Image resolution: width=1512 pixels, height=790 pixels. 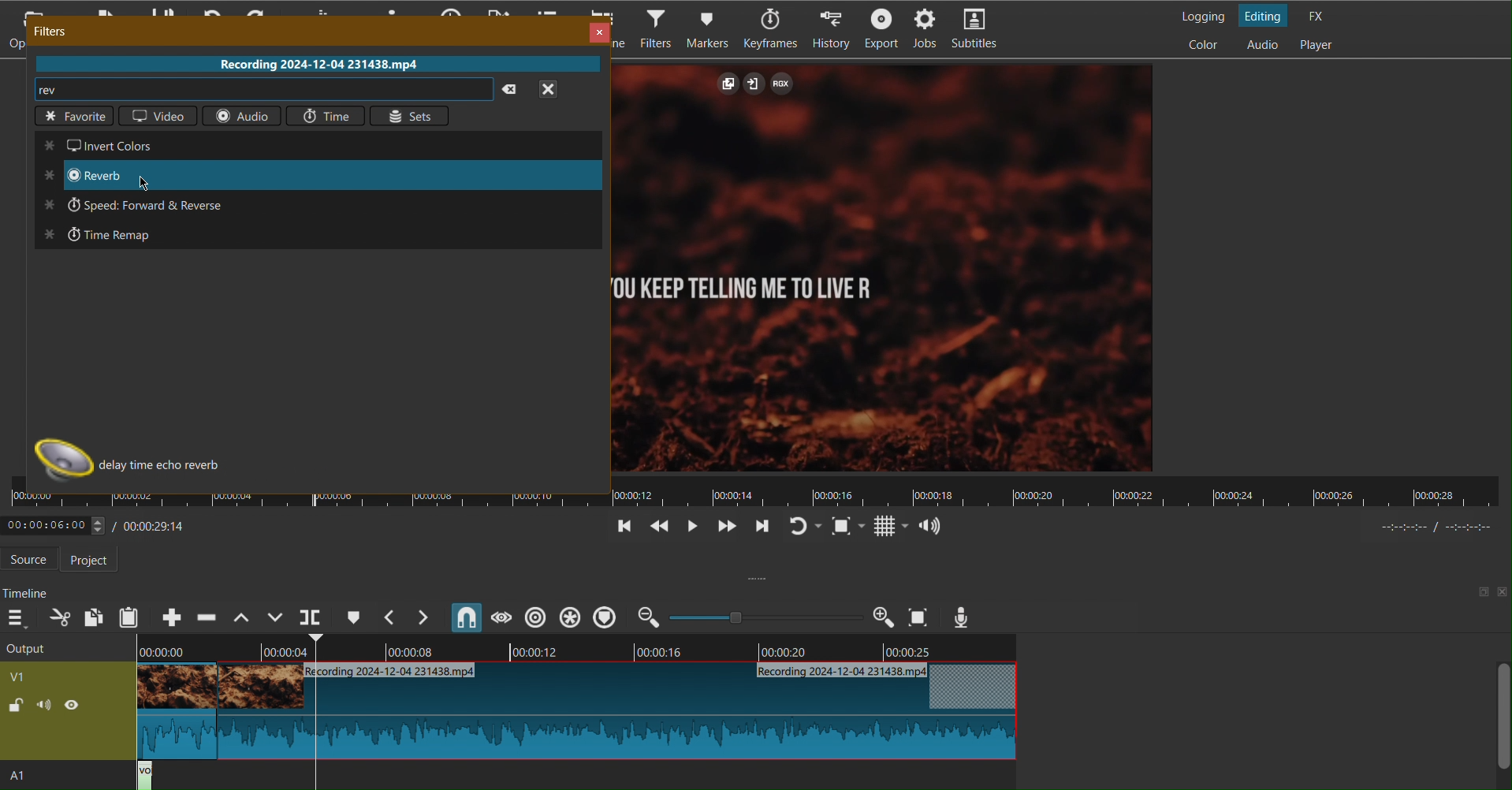 I want to click on Speed: Forward & Reverse, so click(x=150, y=203).